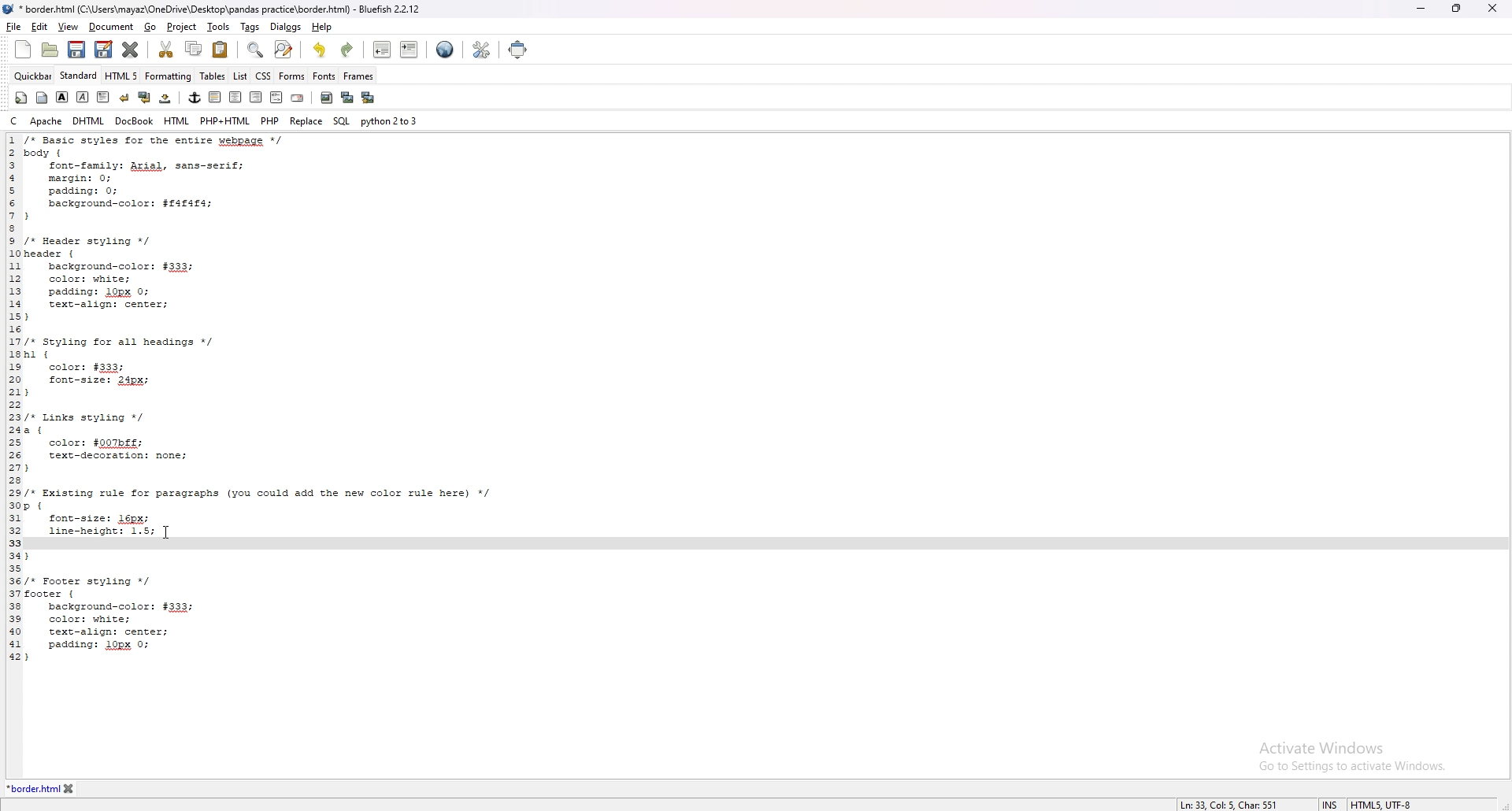 The height and width of the screenshot is (811, 1512). I want to click on quickstart, so click(22, 98).